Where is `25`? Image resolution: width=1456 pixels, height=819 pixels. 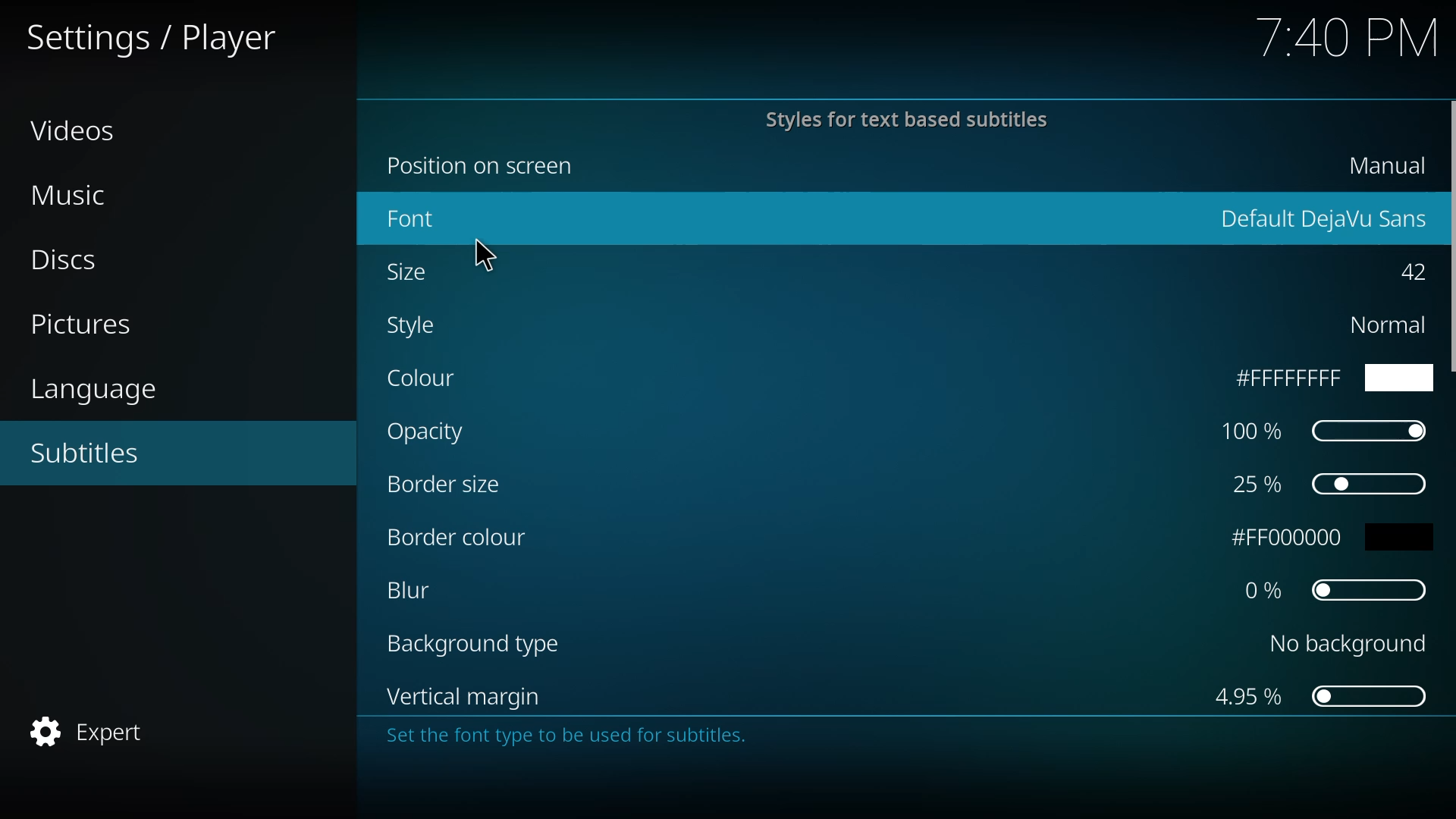
25 is located at coordinates (1325, 484).